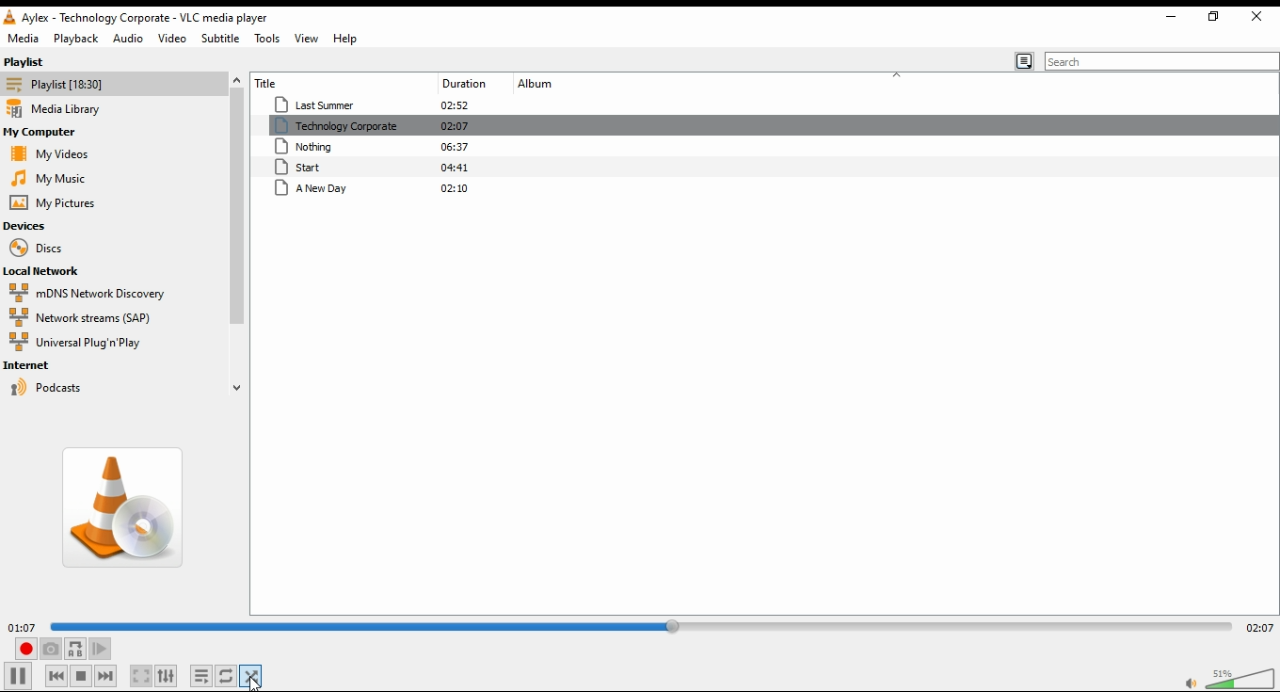 This screenshot has width=1280, height=692. Describe the element at coordinates (251, 676) in the screenshot. I see `mouse on random` at that location.